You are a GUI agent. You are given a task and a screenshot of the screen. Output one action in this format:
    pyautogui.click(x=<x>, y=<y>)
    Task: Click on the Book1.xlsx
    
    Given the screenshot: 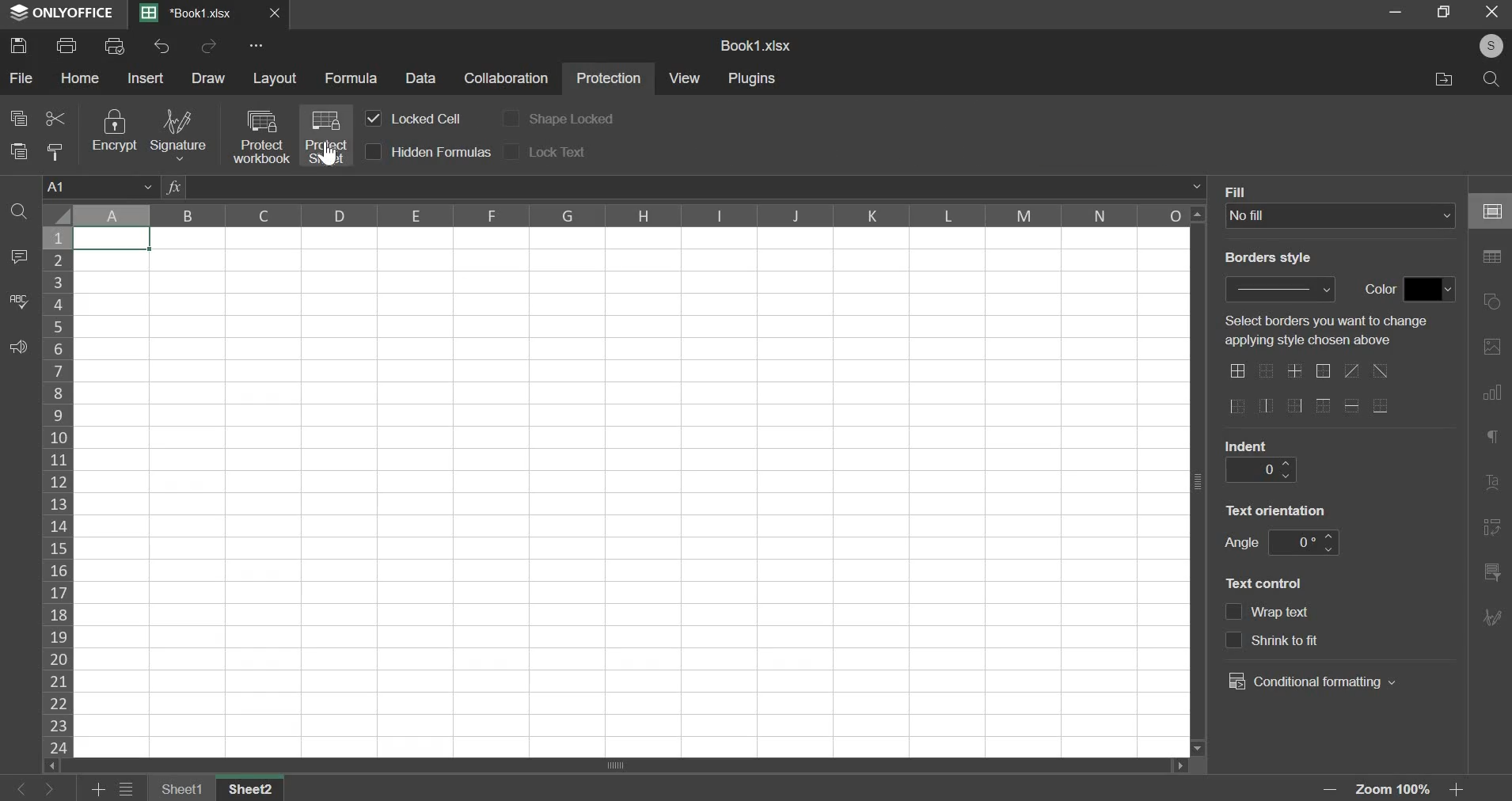 What is the action you would take?
    pyautogui.click(x=758, y=47)
    